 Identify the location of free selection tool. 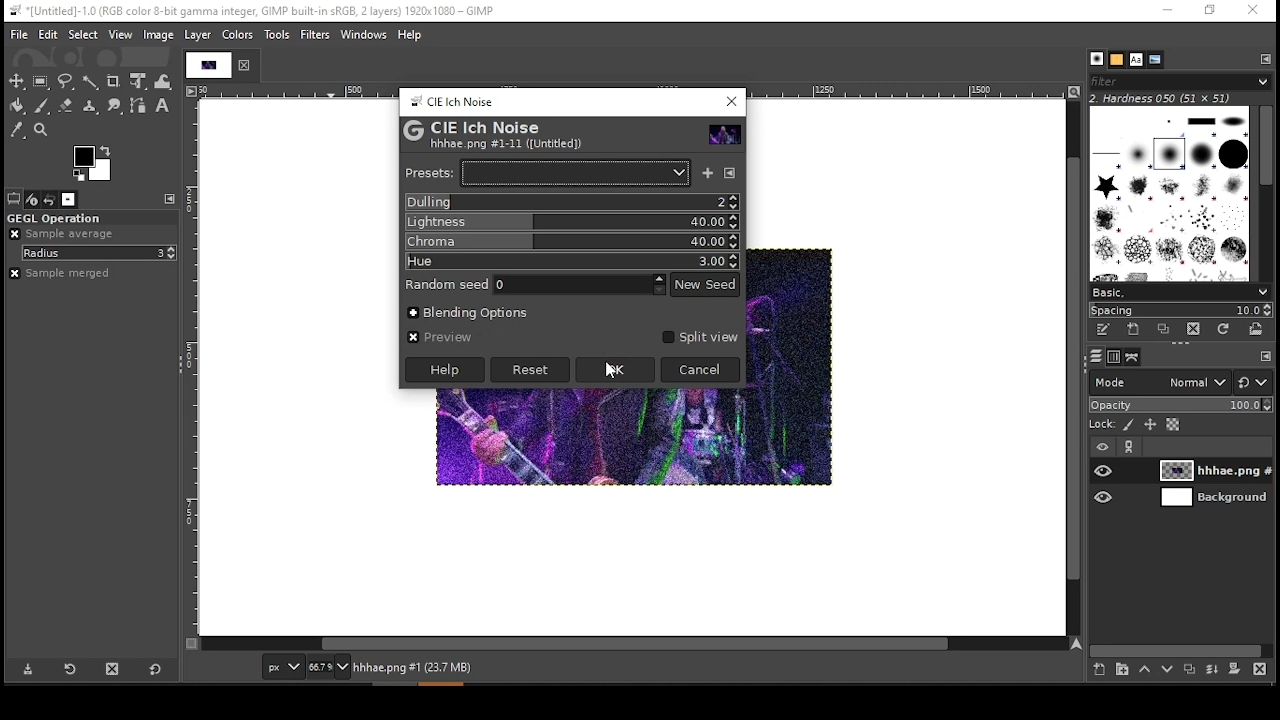
(68, 82).